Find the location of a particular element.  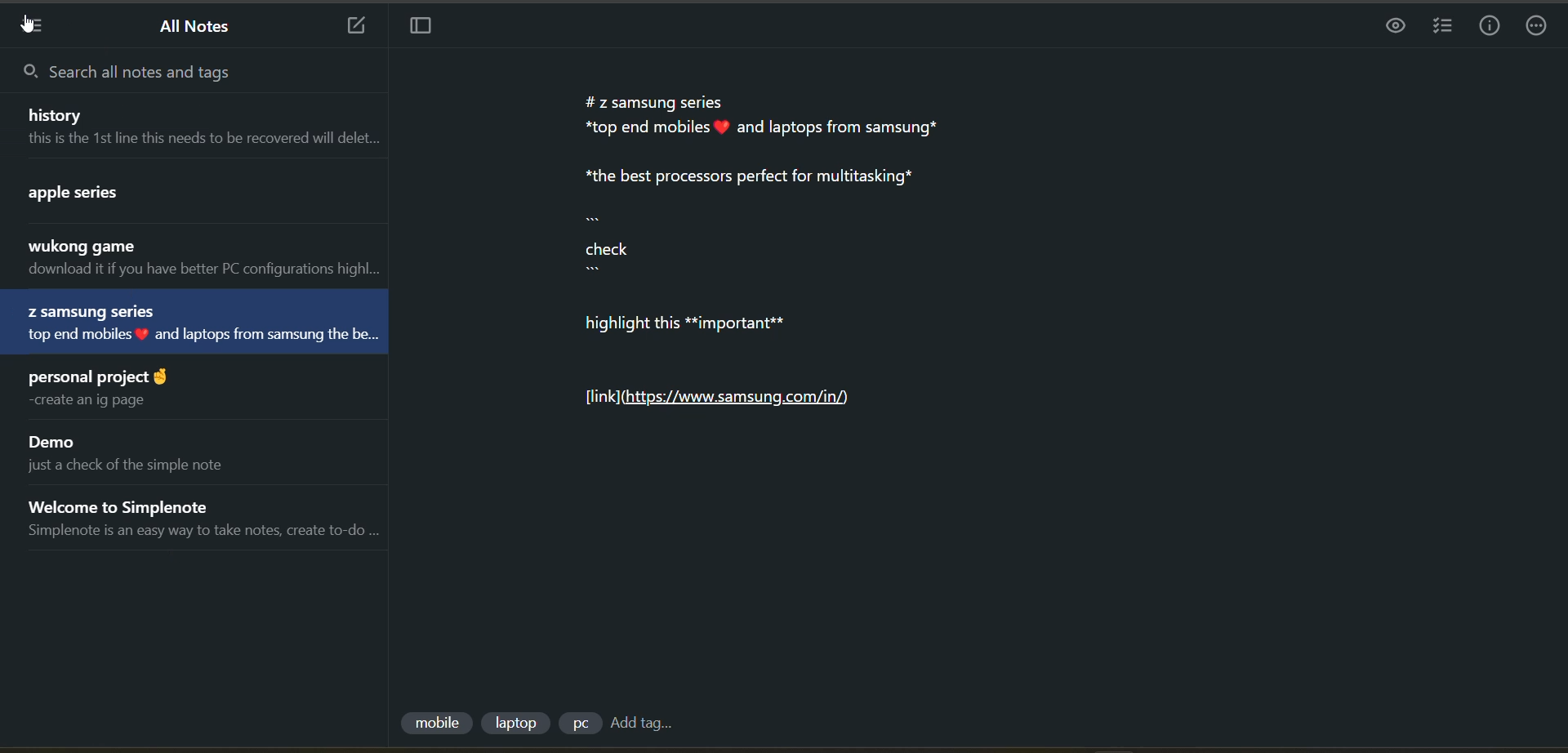

menu is located at coordinates (35, 26).